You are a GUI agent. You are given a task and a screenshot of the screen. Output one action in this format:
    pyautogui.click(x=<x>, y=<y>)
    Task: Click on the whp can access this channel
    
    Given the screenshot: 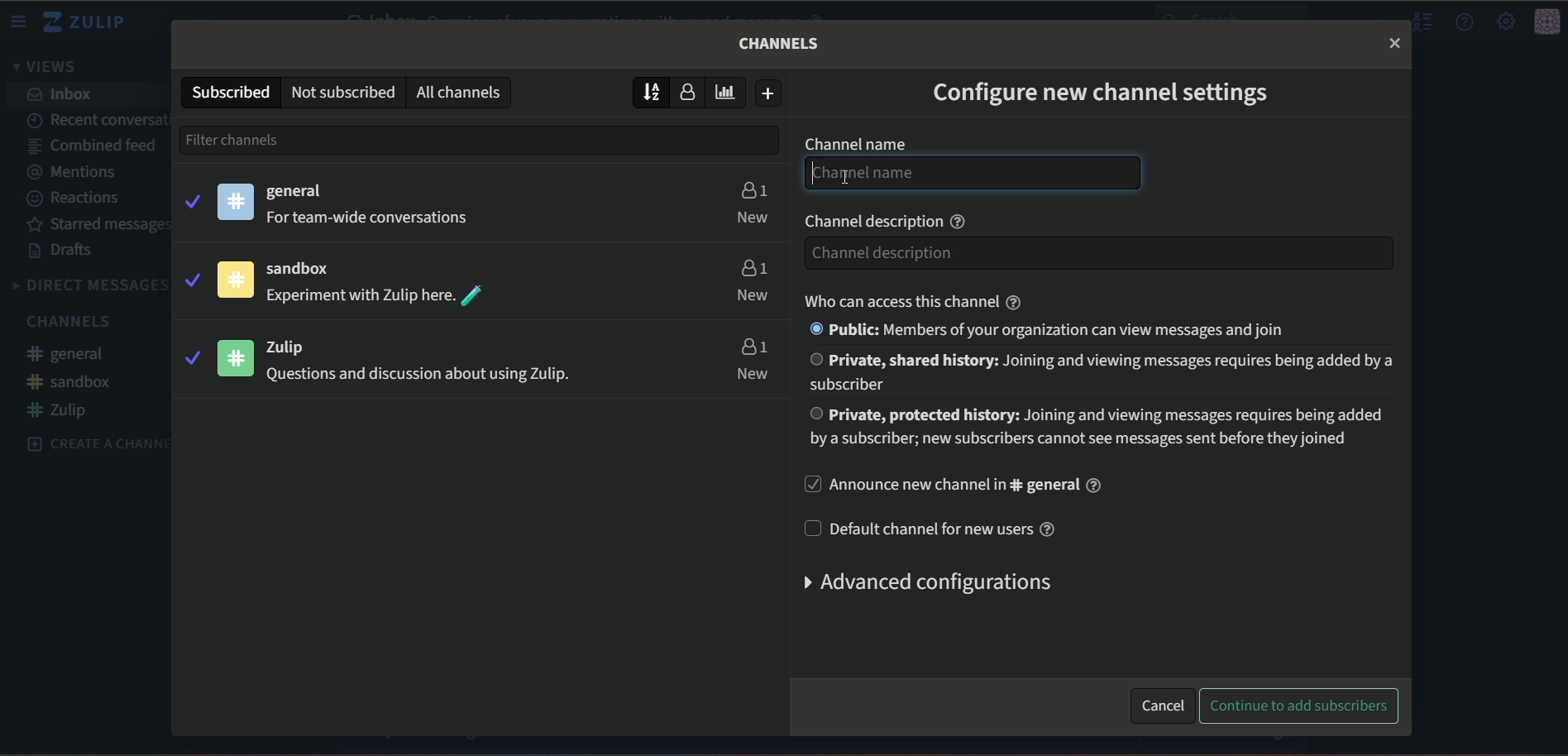 What is the action you would take?
    pyautogui.click(x=906, y=301)
    